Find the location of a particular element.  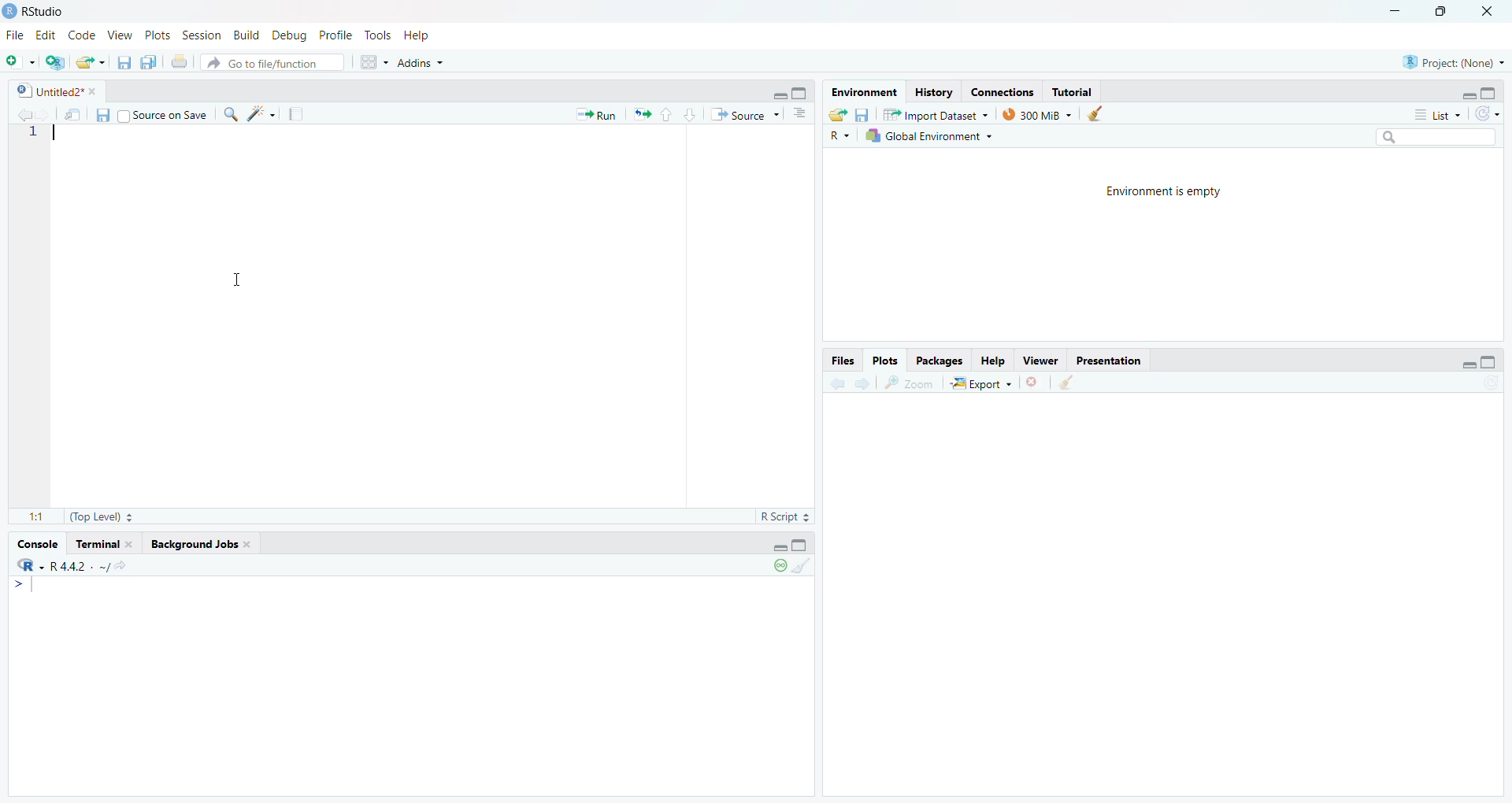

clear current plots is located at coordinates (1032, 383).